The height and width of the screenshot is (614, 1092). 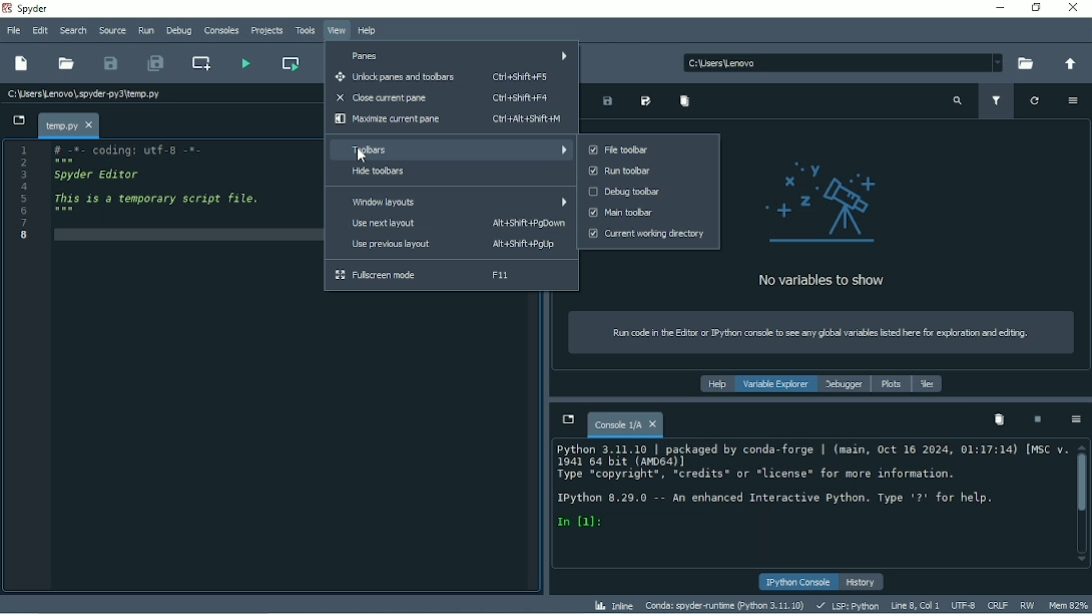 I want to click on Coding, so click(x=123, y=150).